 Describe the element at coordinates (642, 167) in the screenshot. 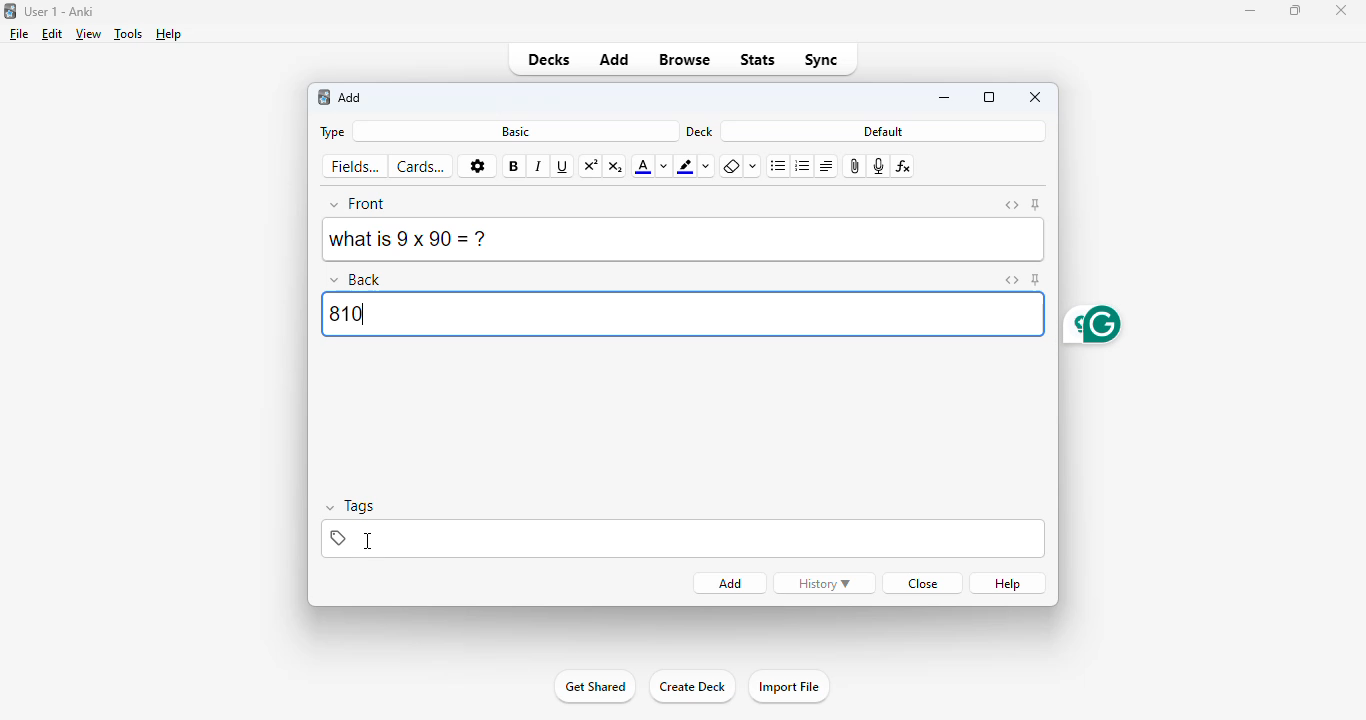

I see `text color` at that location.